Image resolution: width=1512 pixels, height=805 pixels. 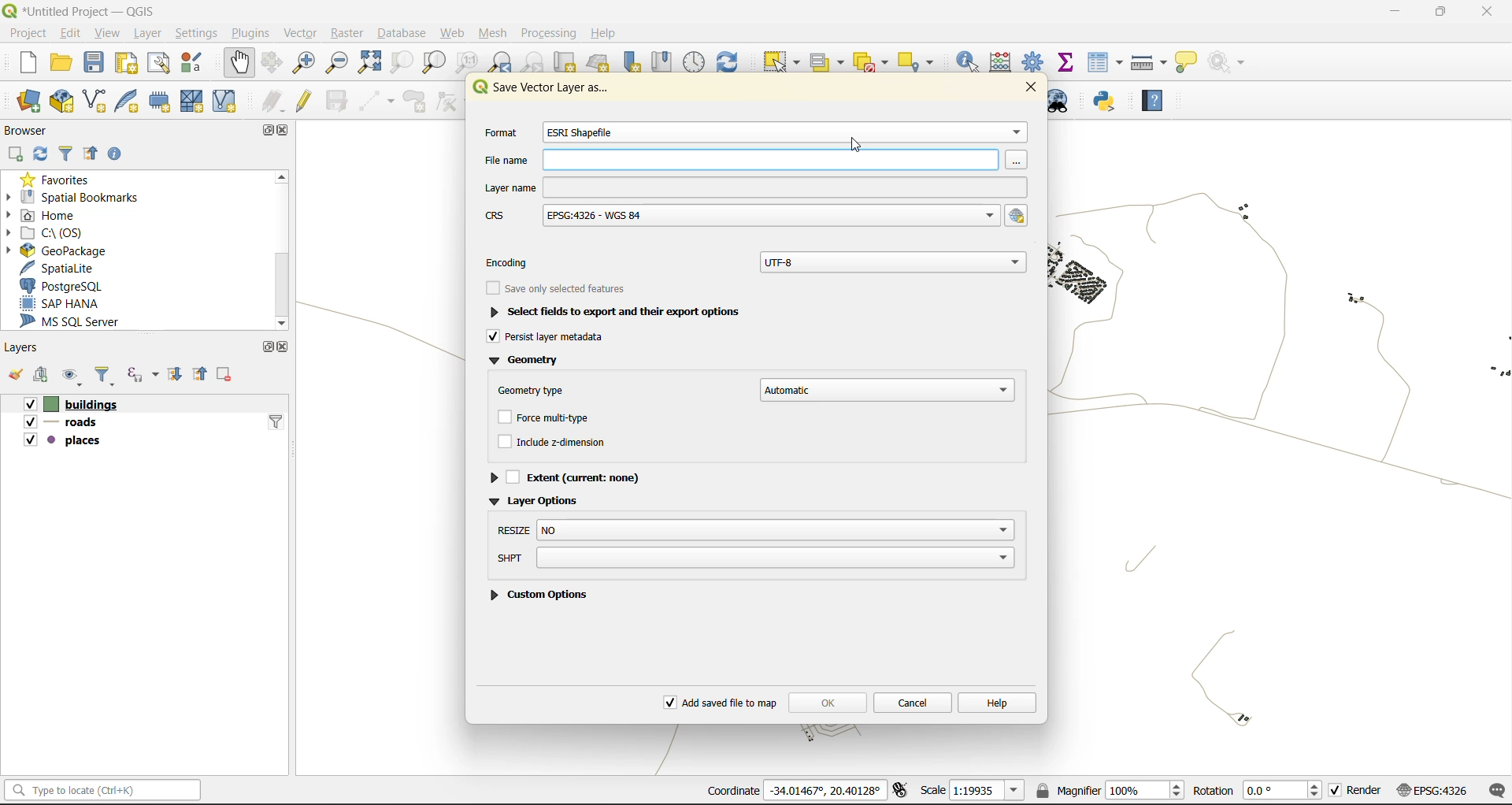 What do you see at coordinates (502, 61) in the screenshot?
I see `zoom last` at bounding box center [502, 61].